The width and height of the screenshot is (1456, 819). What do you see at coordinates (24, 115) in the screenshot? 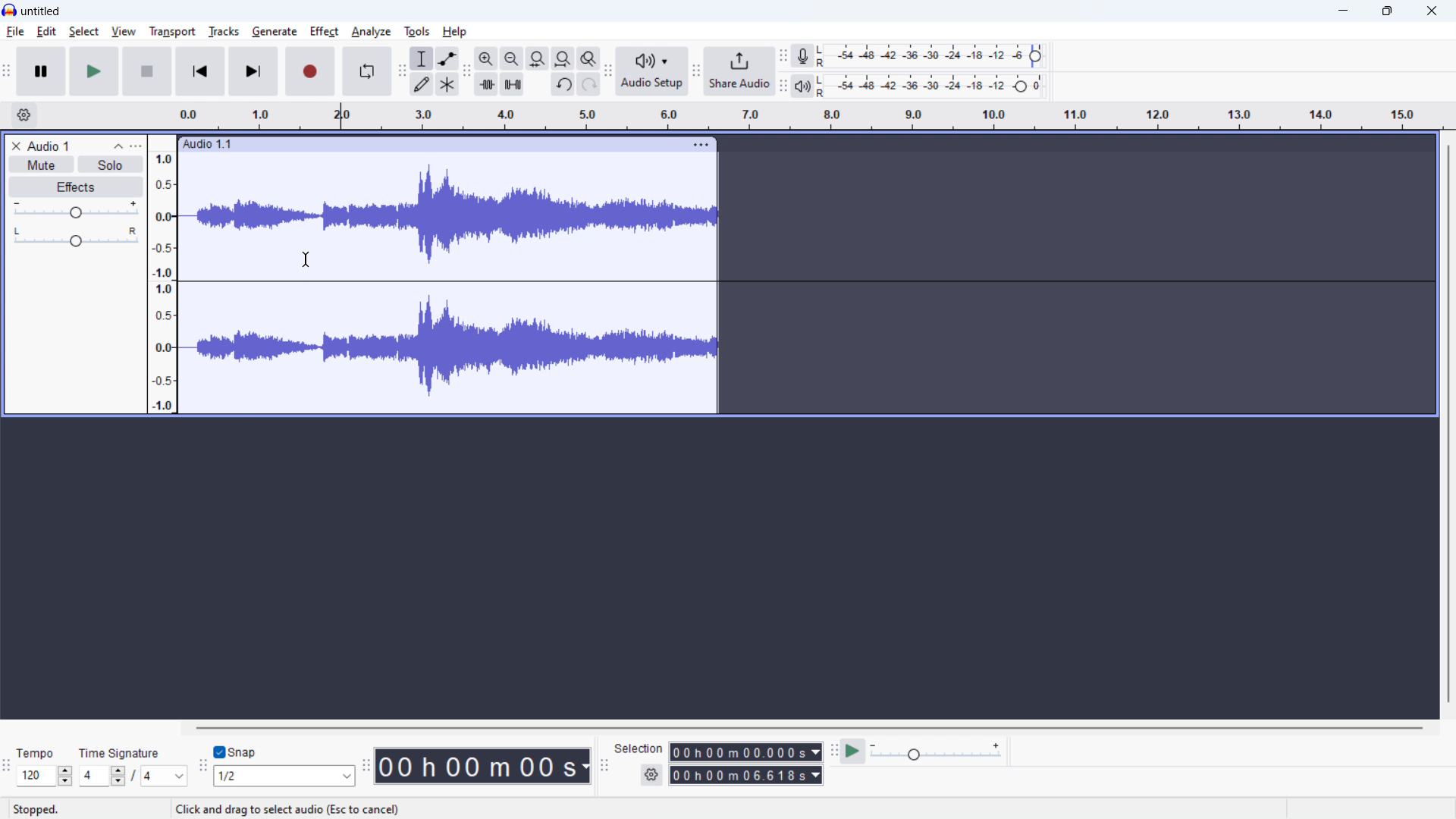
I see `timeline settings` at bounding box center [24, 115].